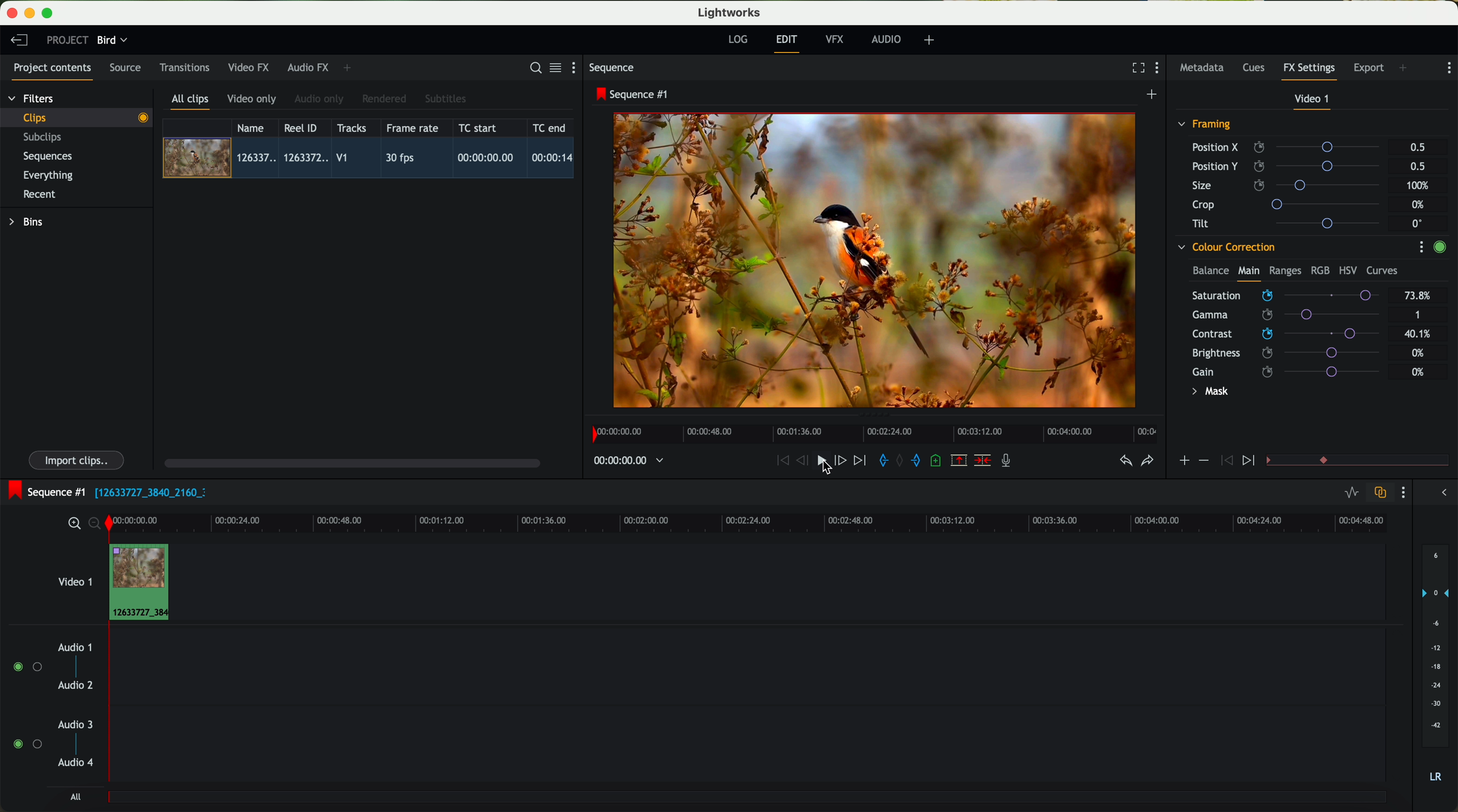 This screenshot has width=1458, height=812. Describe the element at coordinates (1010, 462) in the screenshot. I see `record a voice-over` at that location.